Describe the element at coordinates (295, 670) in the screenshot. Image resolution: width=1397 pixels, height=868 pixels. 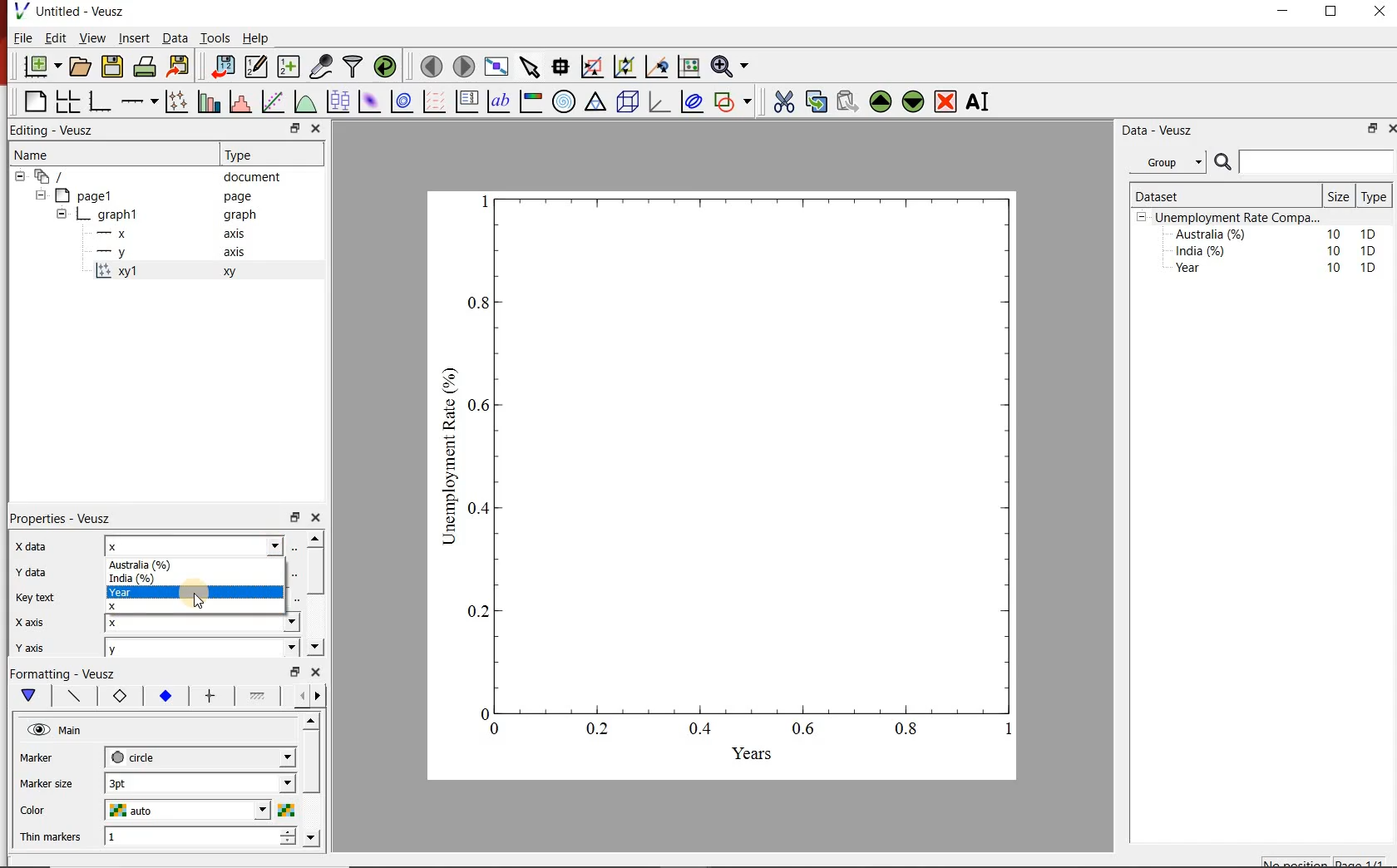
I see `minimise` at that location.